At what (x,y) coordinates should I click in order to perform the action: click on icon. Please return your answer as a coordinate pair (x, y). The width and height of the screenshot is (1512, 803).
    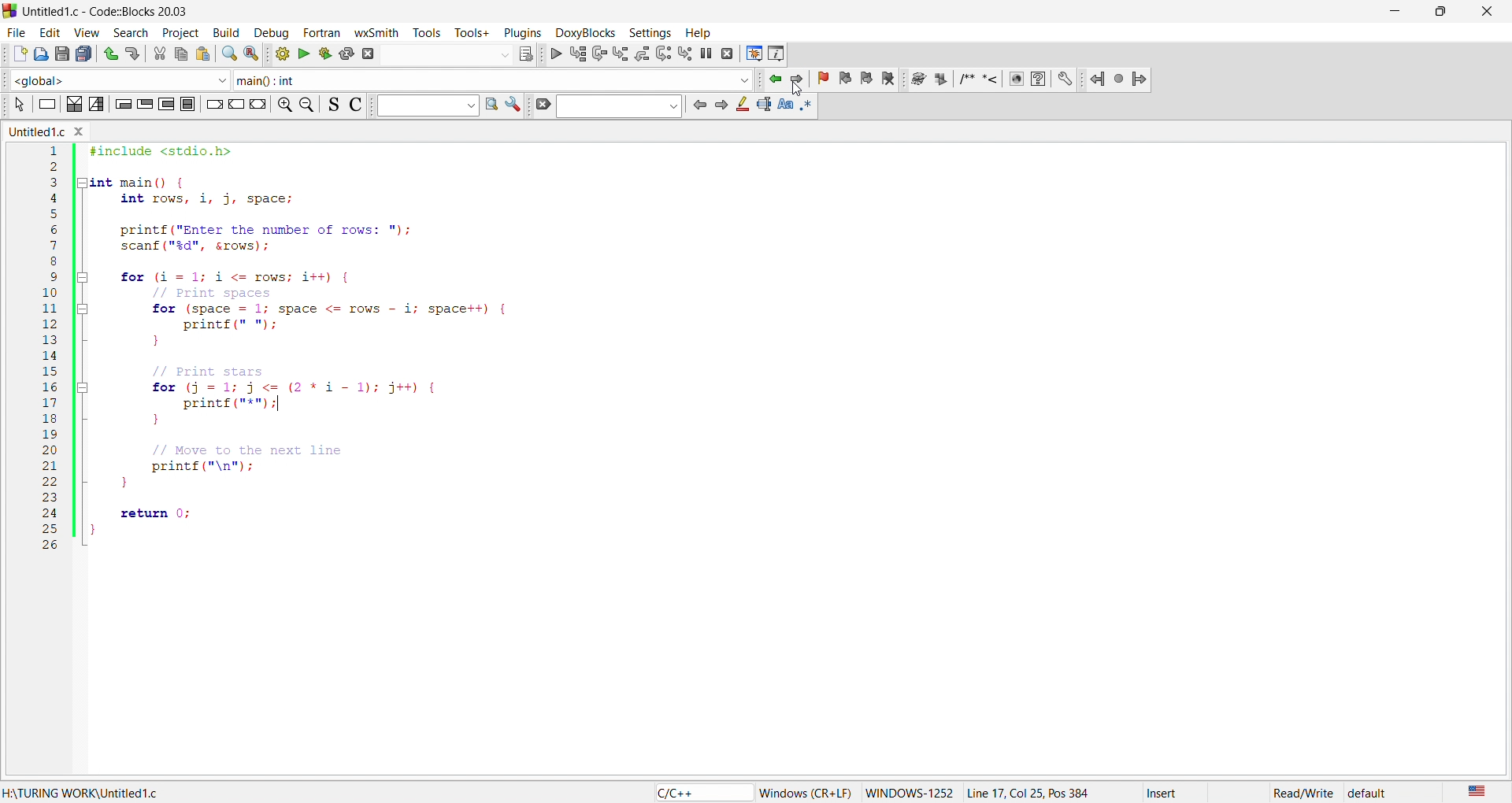
    Looking at the image, I should click on (120, 105).